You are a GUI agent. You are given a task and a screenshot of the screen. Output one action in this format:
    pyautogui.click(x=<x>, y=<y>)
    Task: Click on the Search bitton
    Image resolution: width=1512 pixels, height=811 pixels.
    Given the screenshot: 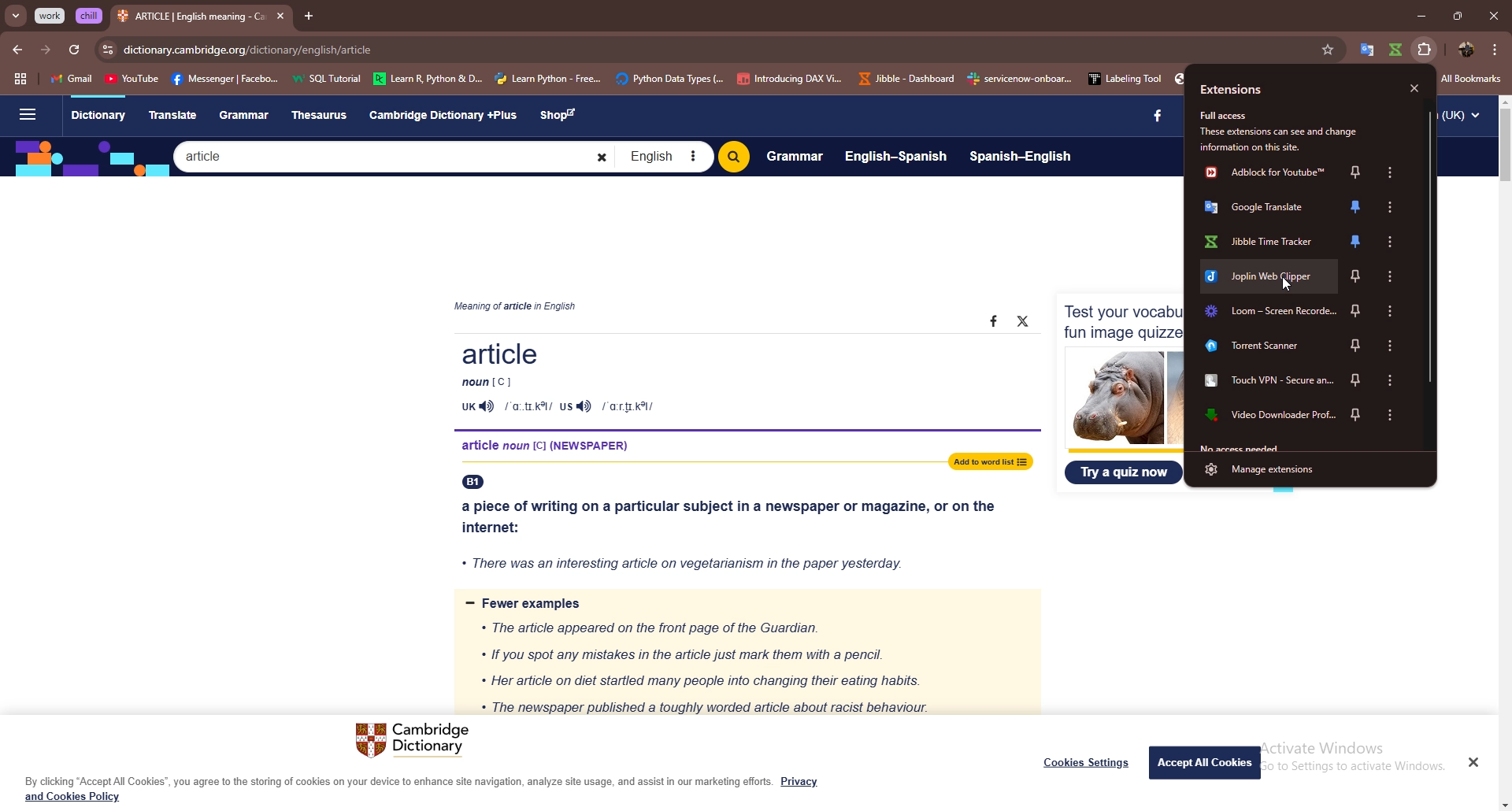 What is the action you would take?
    pyautogui.click(x=733, y=157)
    